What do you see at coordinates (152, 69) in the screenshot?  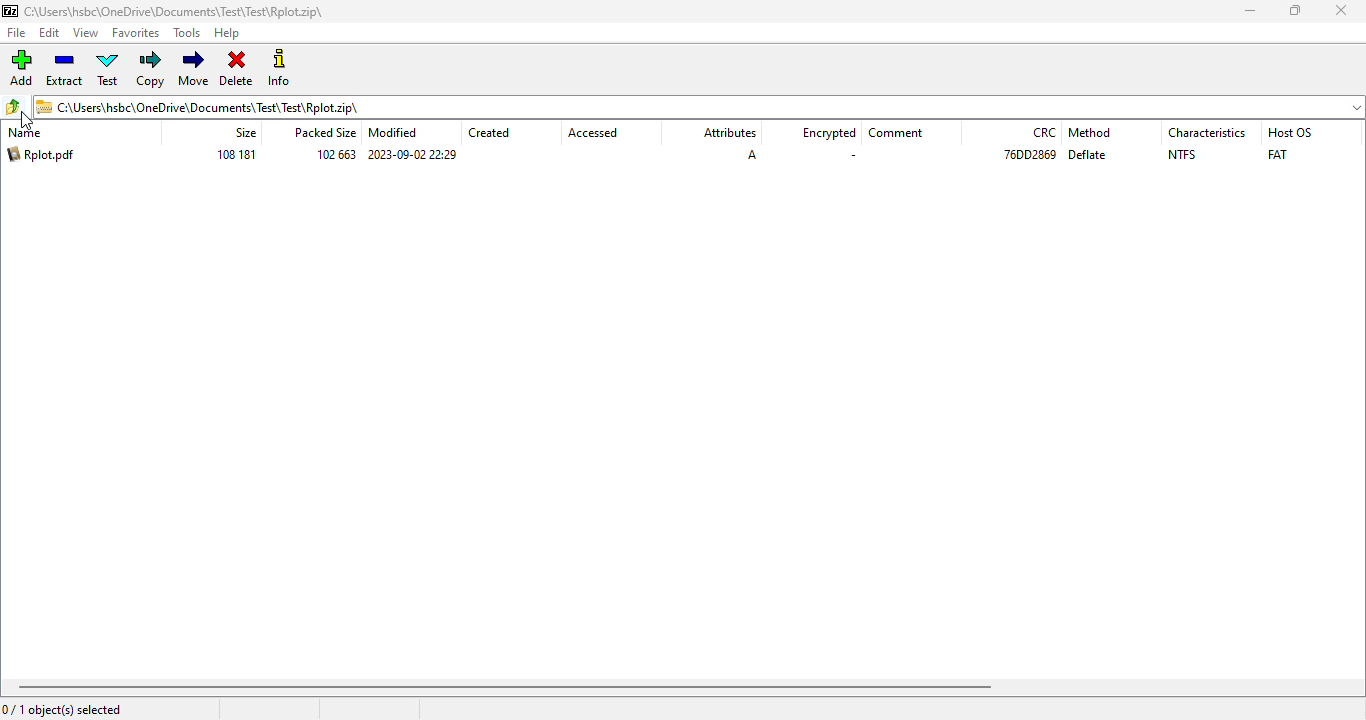 I see `copy` at bounding box center [152, 69].